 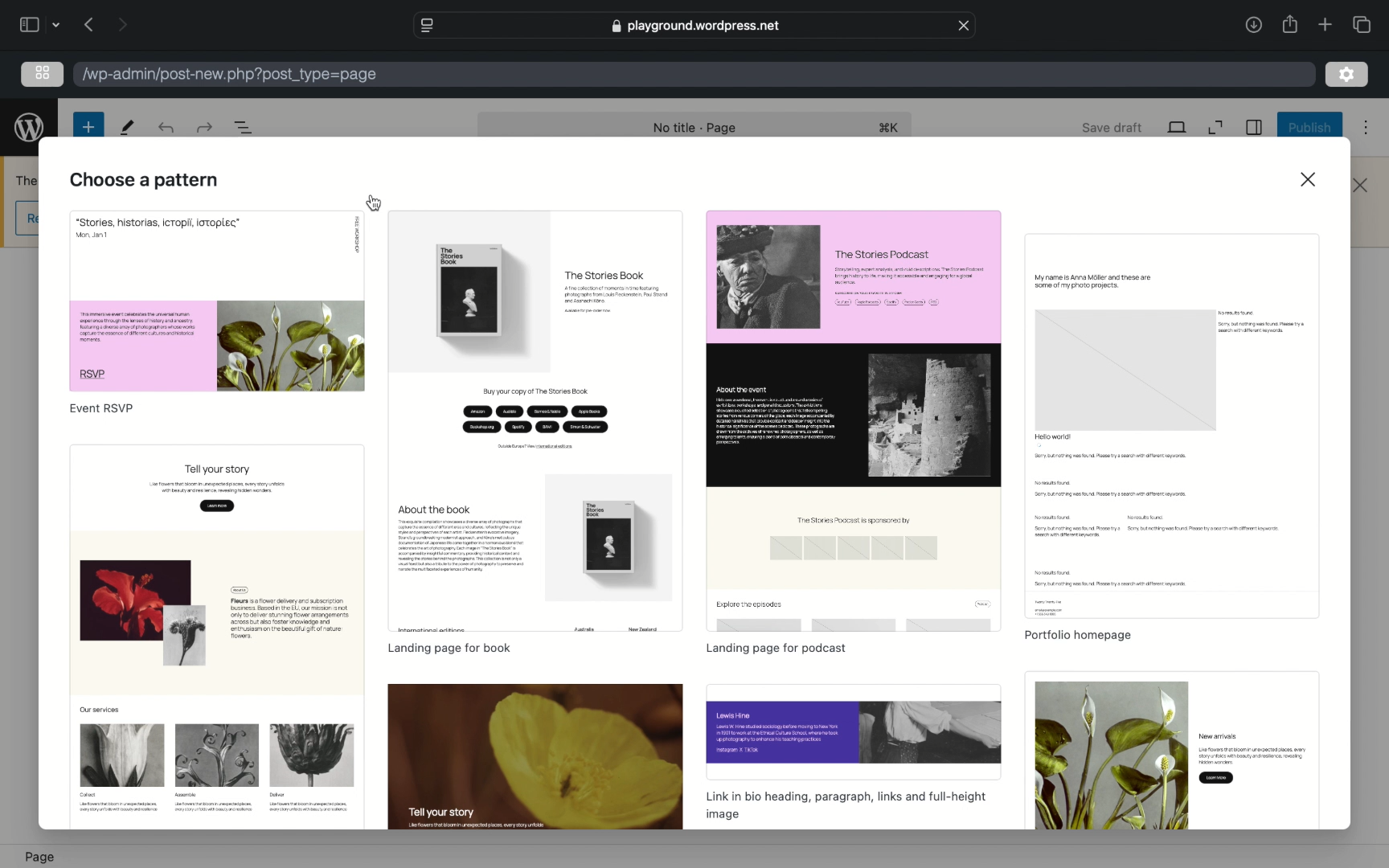 What do you see at coordinates (1215, 127) in the screenshot?
I see `expand` at bounding box center [1215, 127].